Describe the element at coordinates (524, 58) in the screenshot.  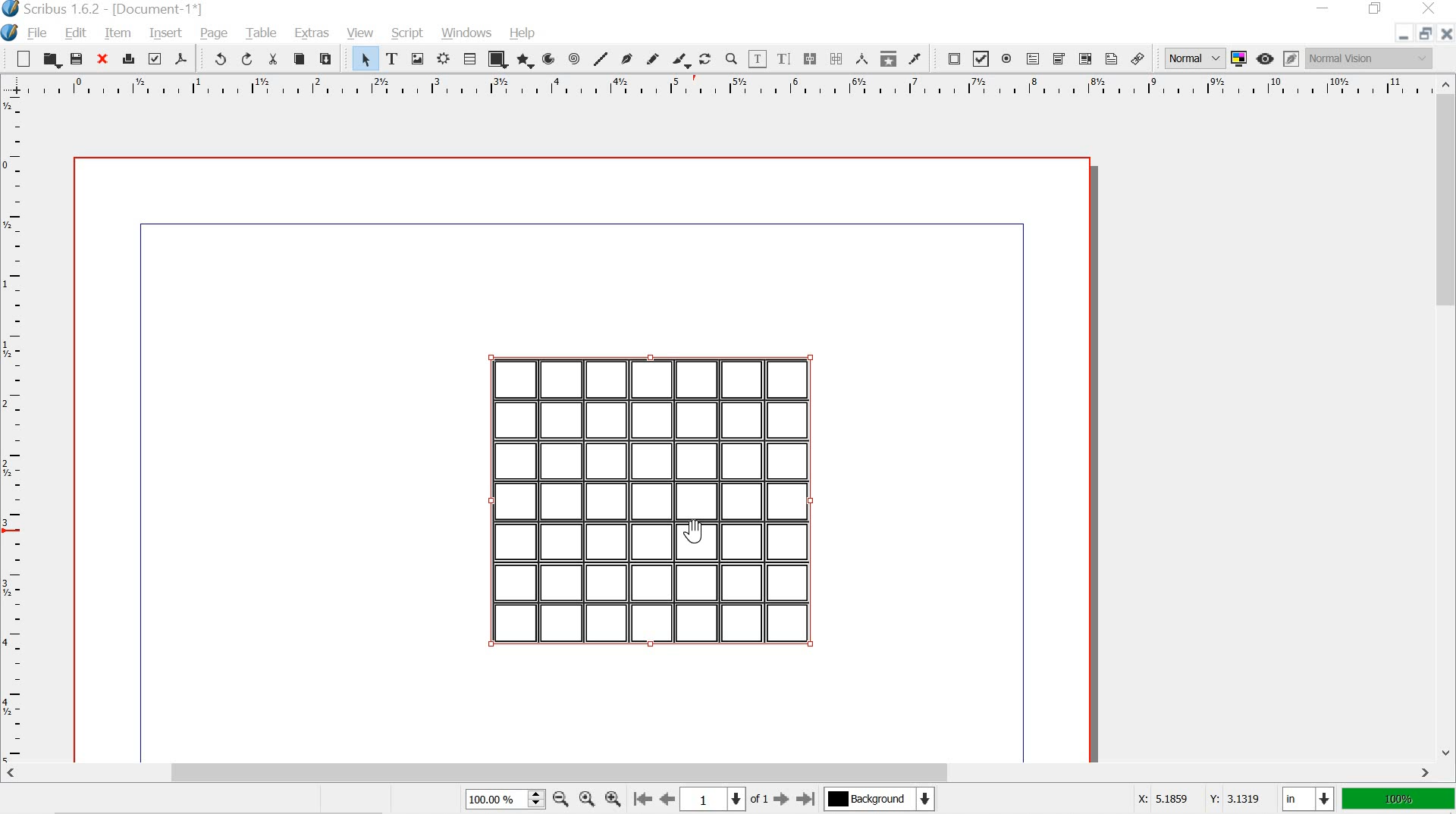
I see `polygon` at that location.